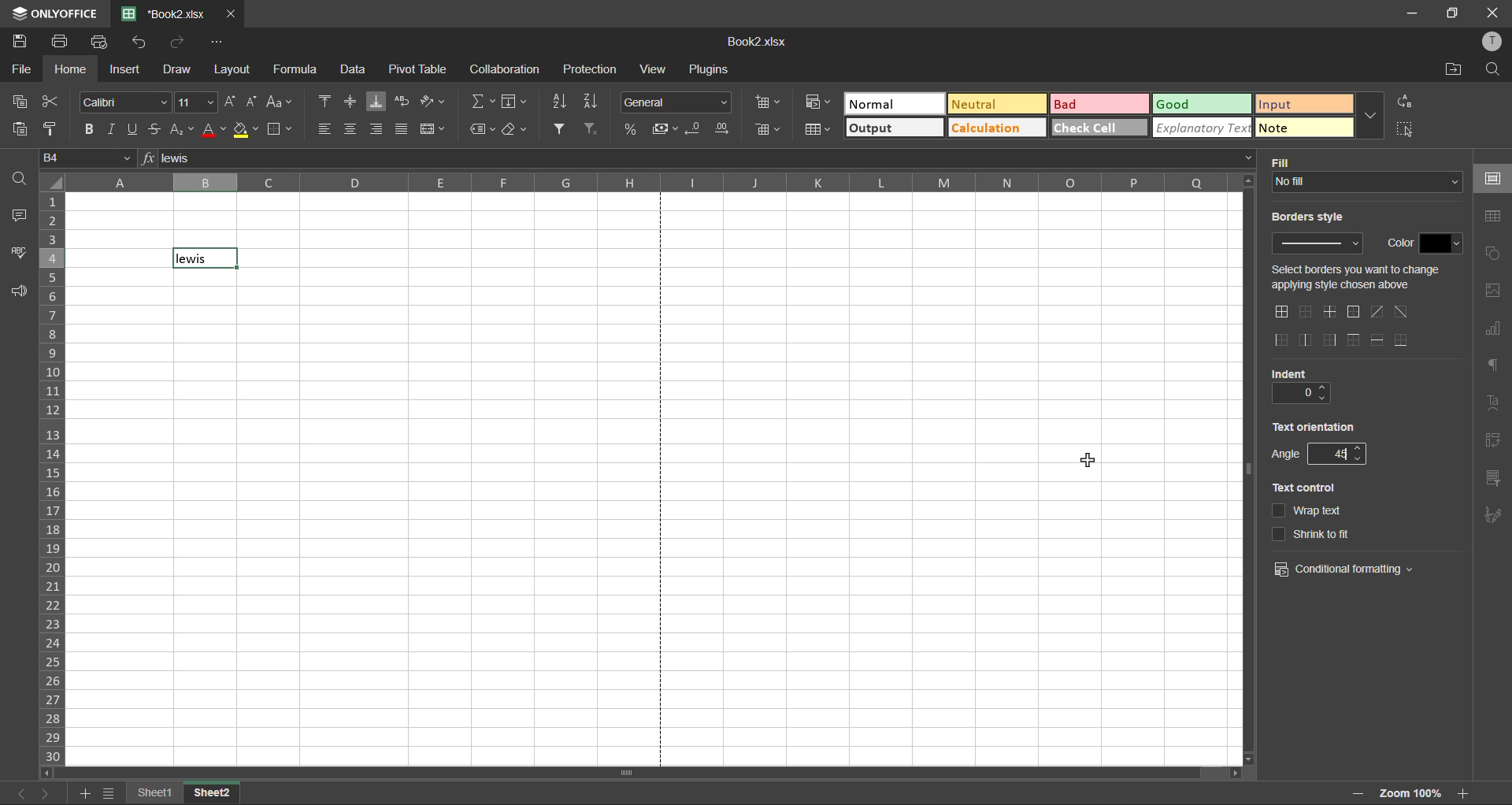 The image size is (1512, 805). I want to click on conditional formatting, so click(820, 103).